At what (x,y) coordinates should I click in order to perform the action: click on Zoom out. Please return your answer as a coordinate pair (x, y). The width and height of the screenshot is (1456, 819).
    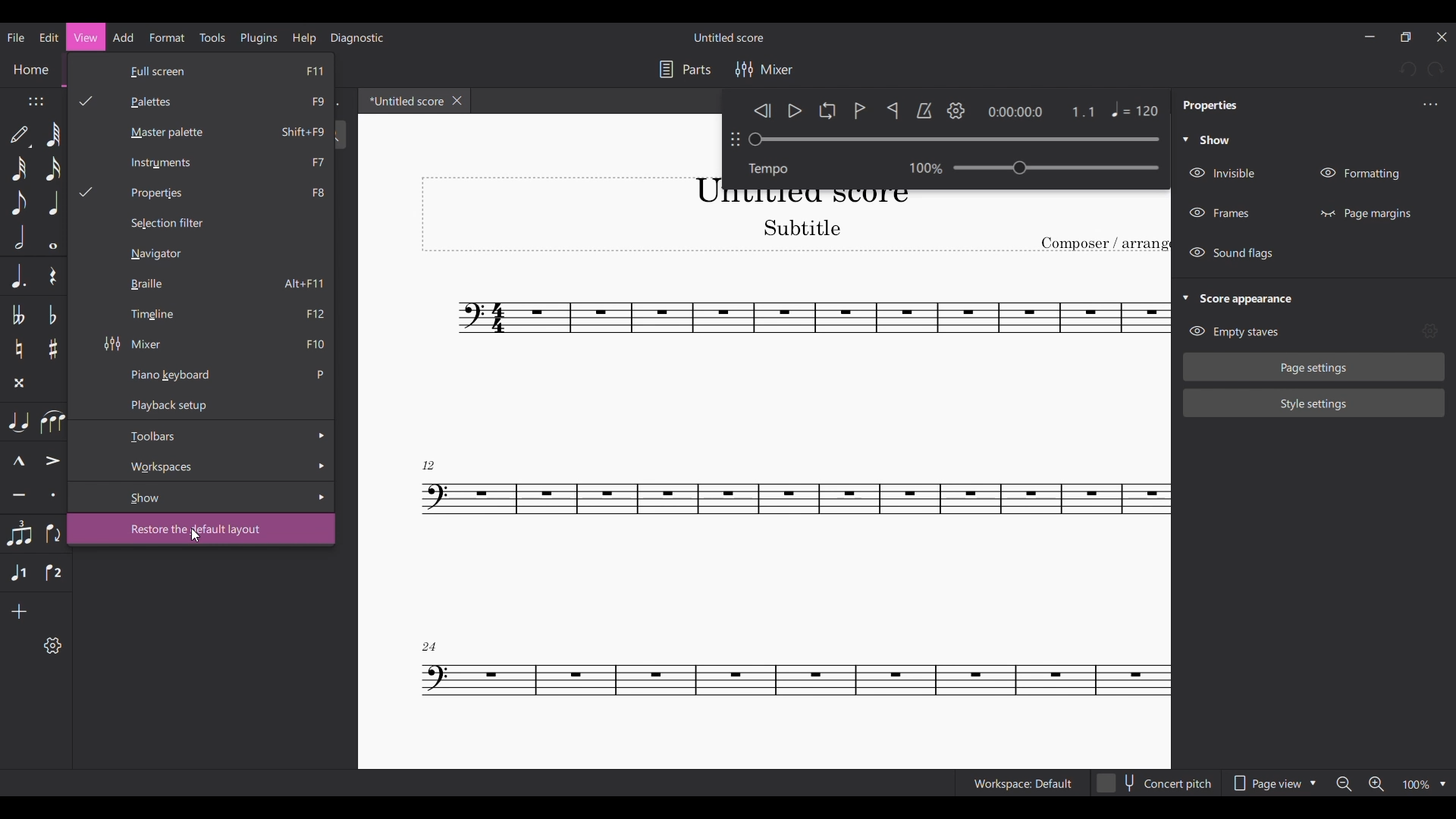
    Looking at the image, I should click on (1344, 783).